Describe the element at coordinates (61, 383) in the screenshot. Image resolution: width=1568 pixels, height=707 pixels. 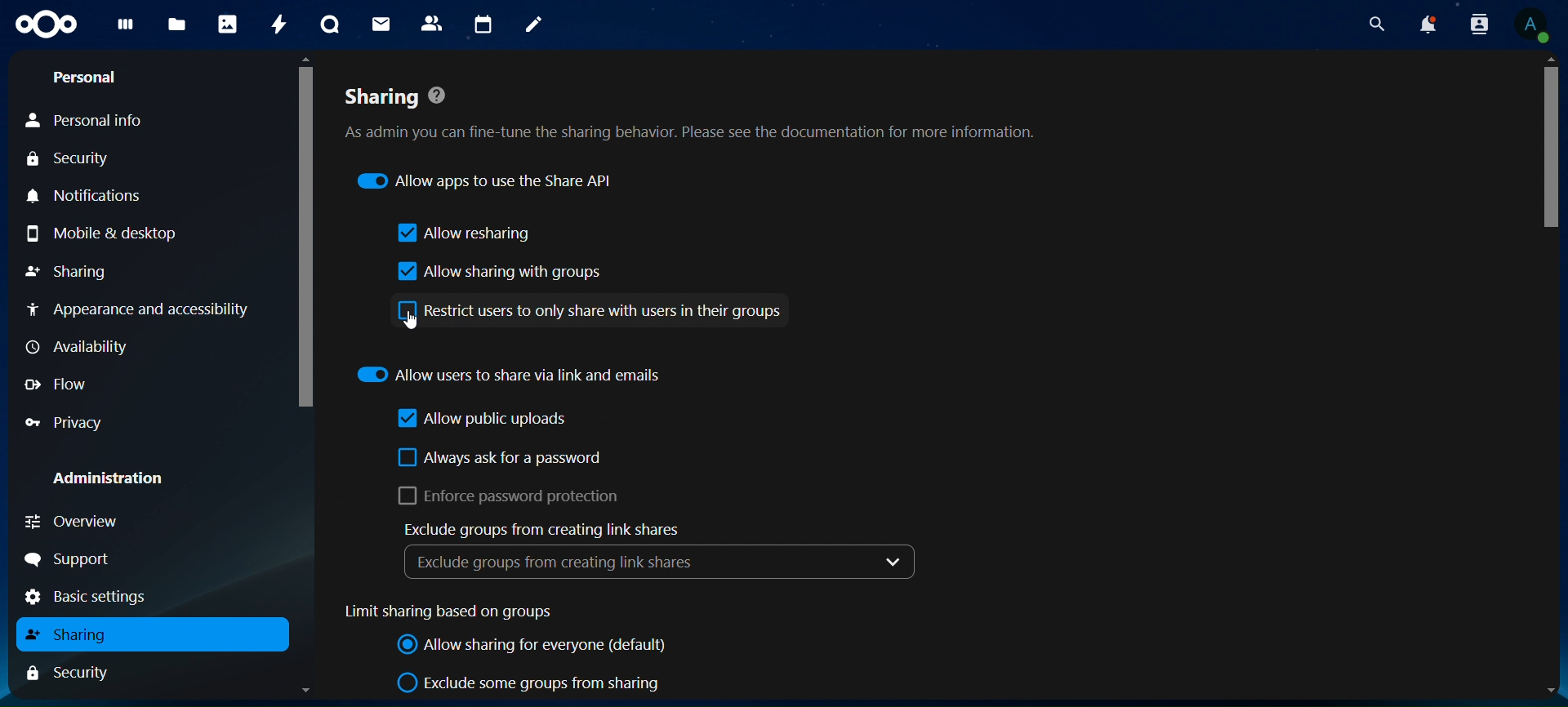
I see `flow` at that location.